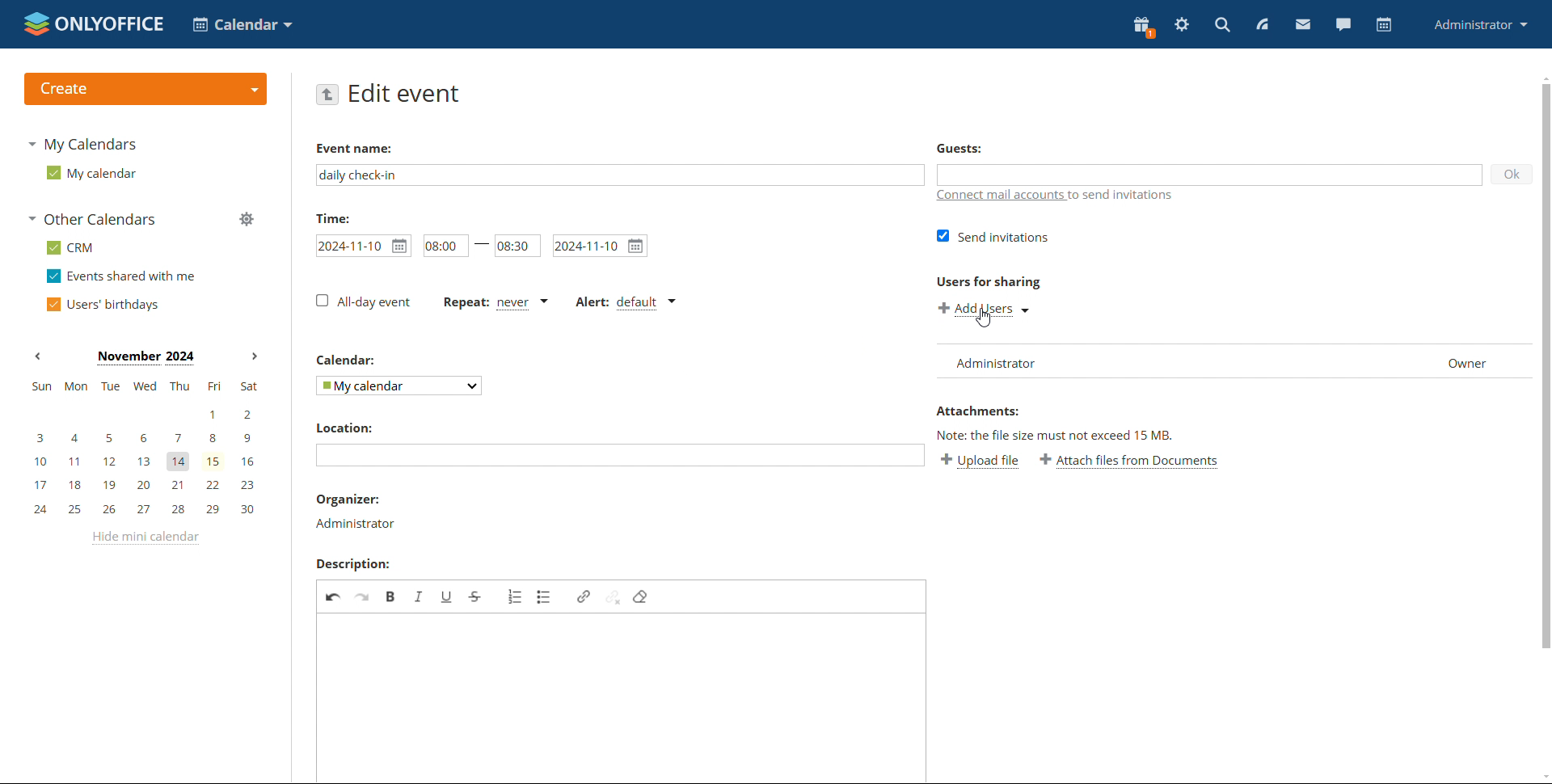 The width and height of the screenshot is (1552, 784). Describe the element at coordinates (514, 596) in the screenshot. I see `insert/remove numbered list` at that location.